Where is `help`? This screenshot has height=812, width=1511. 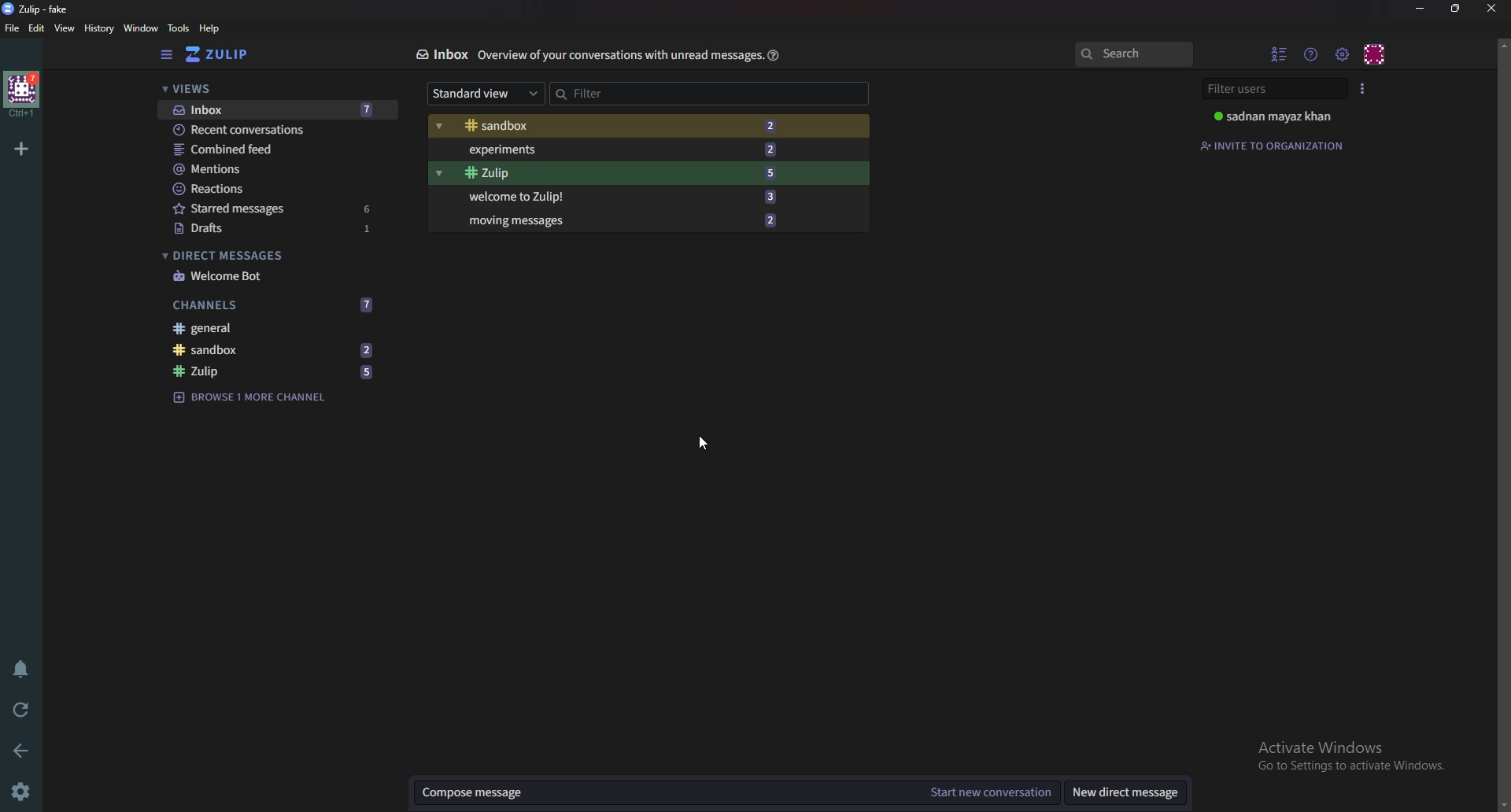 help is located at coordinates (209, 29).